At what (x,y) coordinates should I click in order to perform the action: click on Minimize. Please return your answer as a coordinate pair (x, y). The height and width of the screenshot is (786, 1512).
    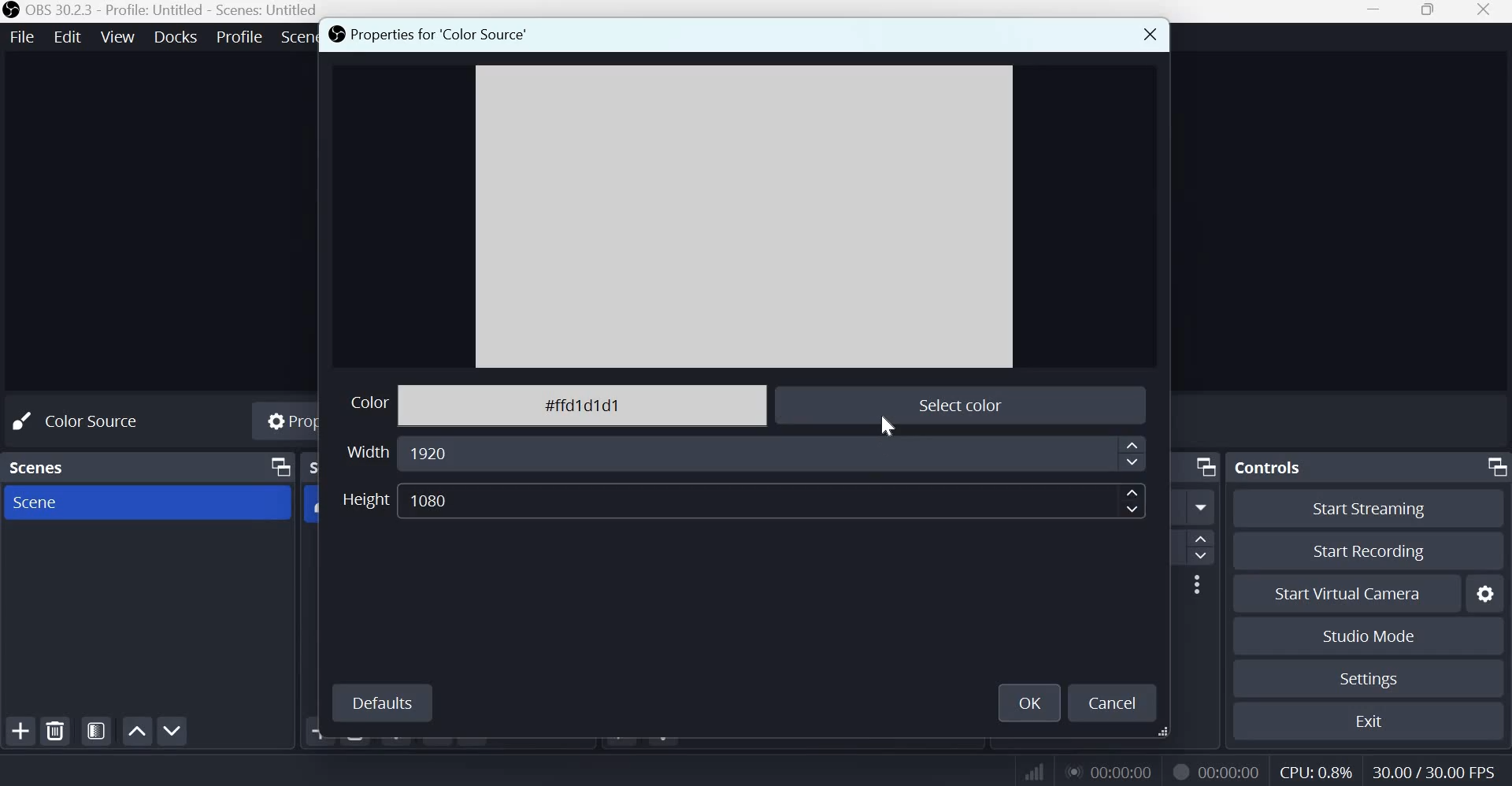
    Looking at the image, I should click on (1373, 13).